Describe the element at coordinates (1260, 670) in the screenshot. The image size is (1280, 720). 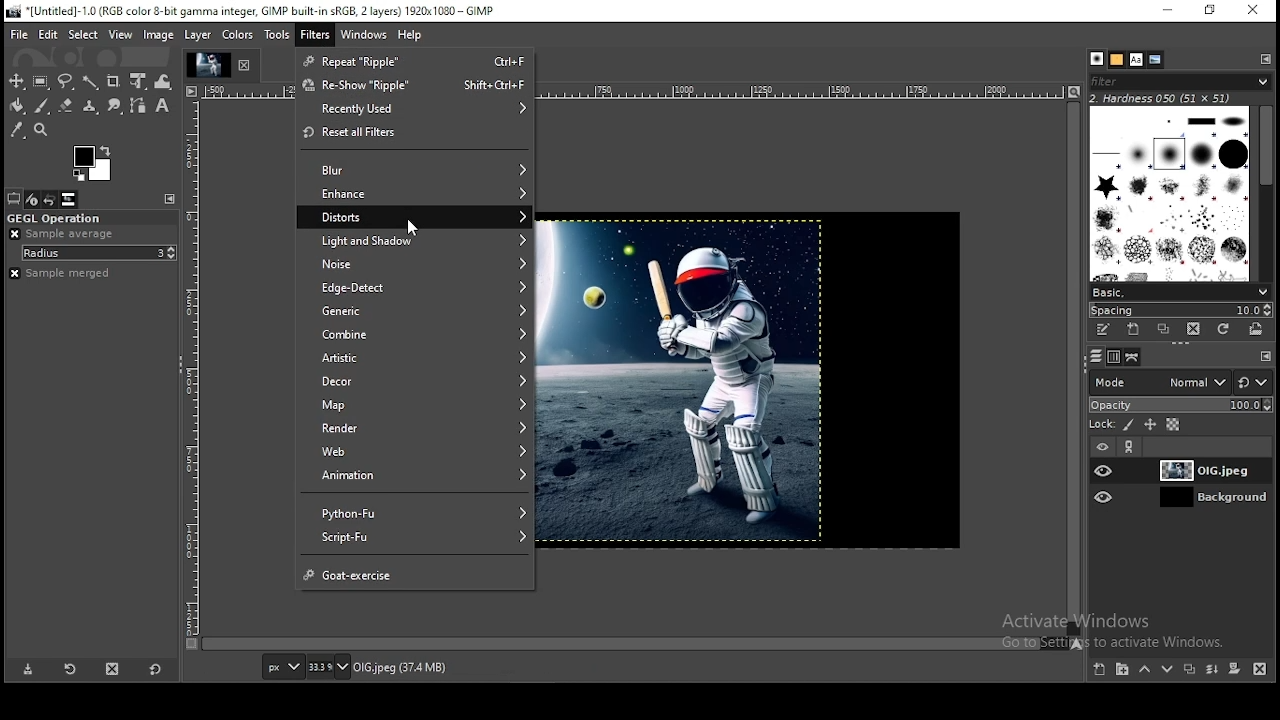
I see `delete this layer` at that location.